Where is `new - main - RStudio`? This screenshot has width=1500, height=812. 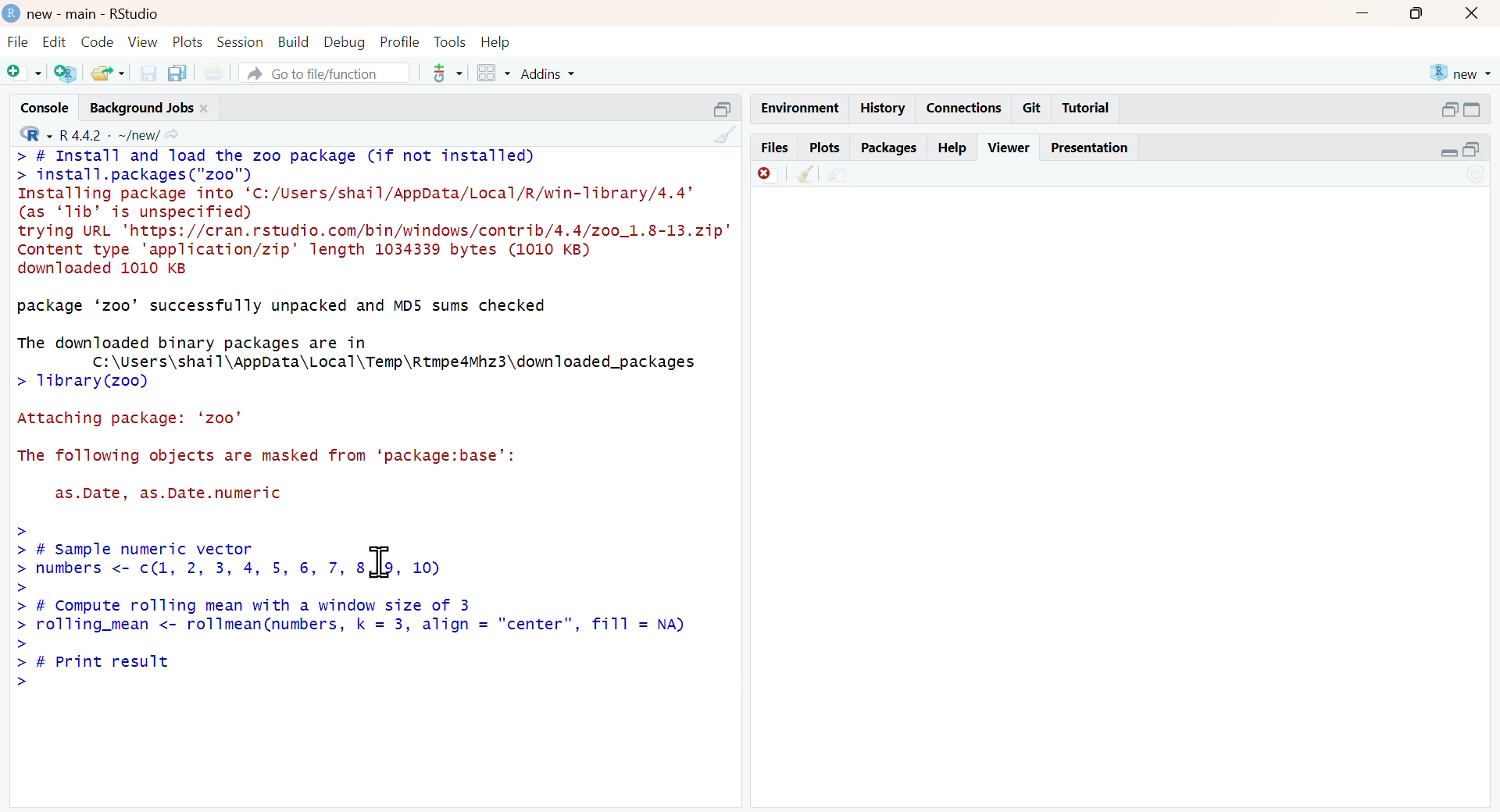 new - main - RStudio is located at coordinates (94, 15).